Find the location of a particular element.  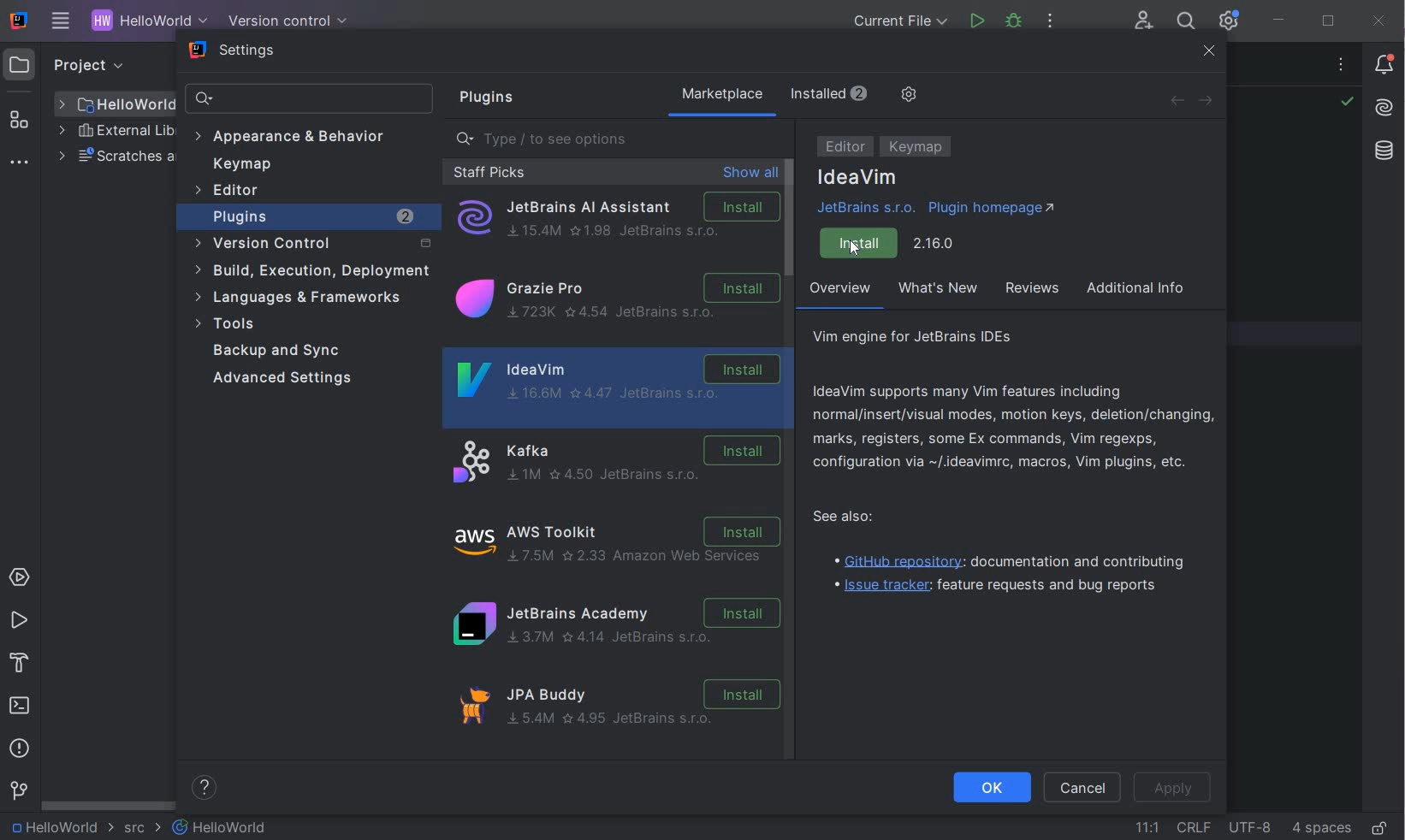

CURRENT FILE is located at coordinates (900, 23).